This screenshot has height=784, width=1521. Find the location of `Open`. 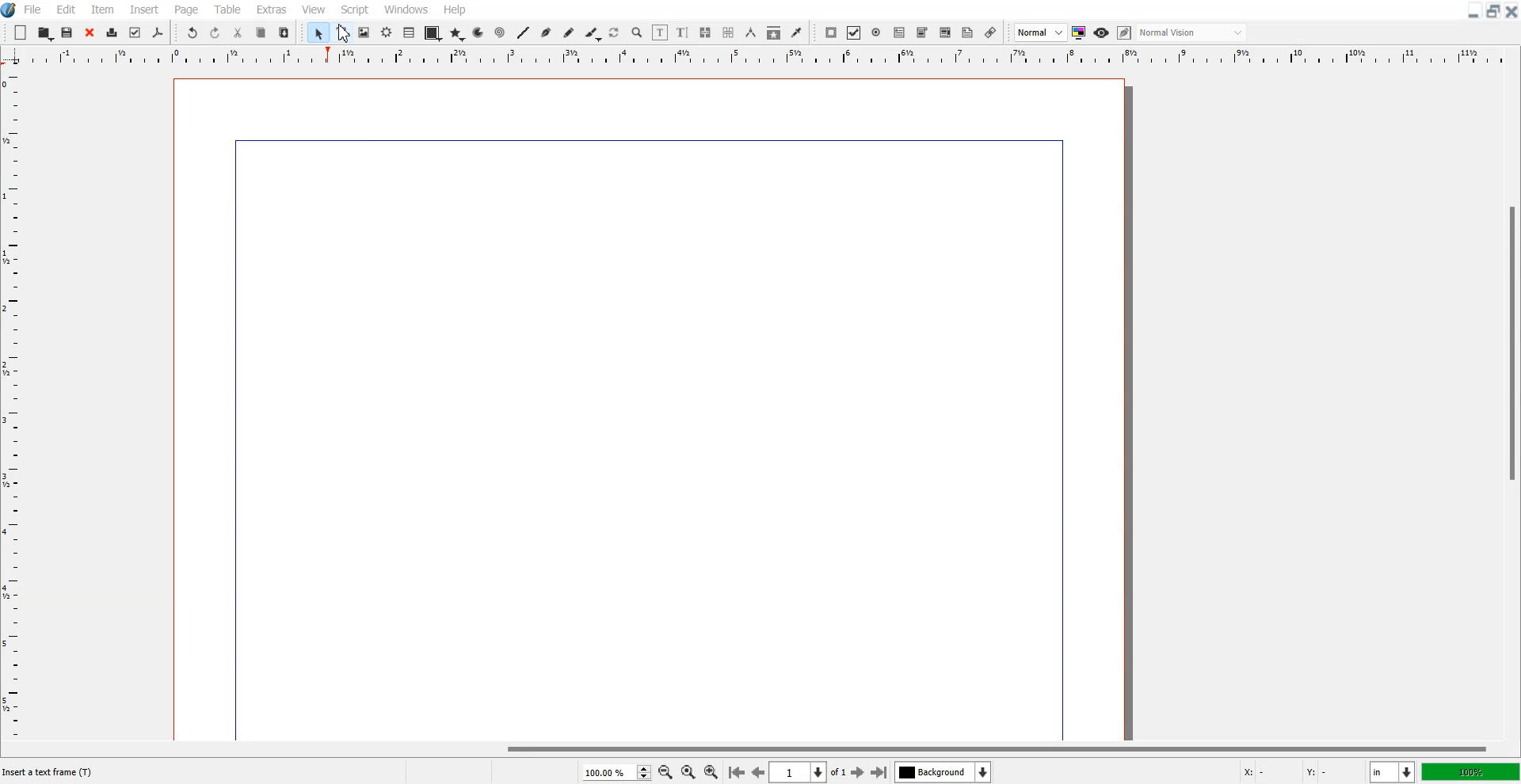

Open is located at coordinates (46, 33).